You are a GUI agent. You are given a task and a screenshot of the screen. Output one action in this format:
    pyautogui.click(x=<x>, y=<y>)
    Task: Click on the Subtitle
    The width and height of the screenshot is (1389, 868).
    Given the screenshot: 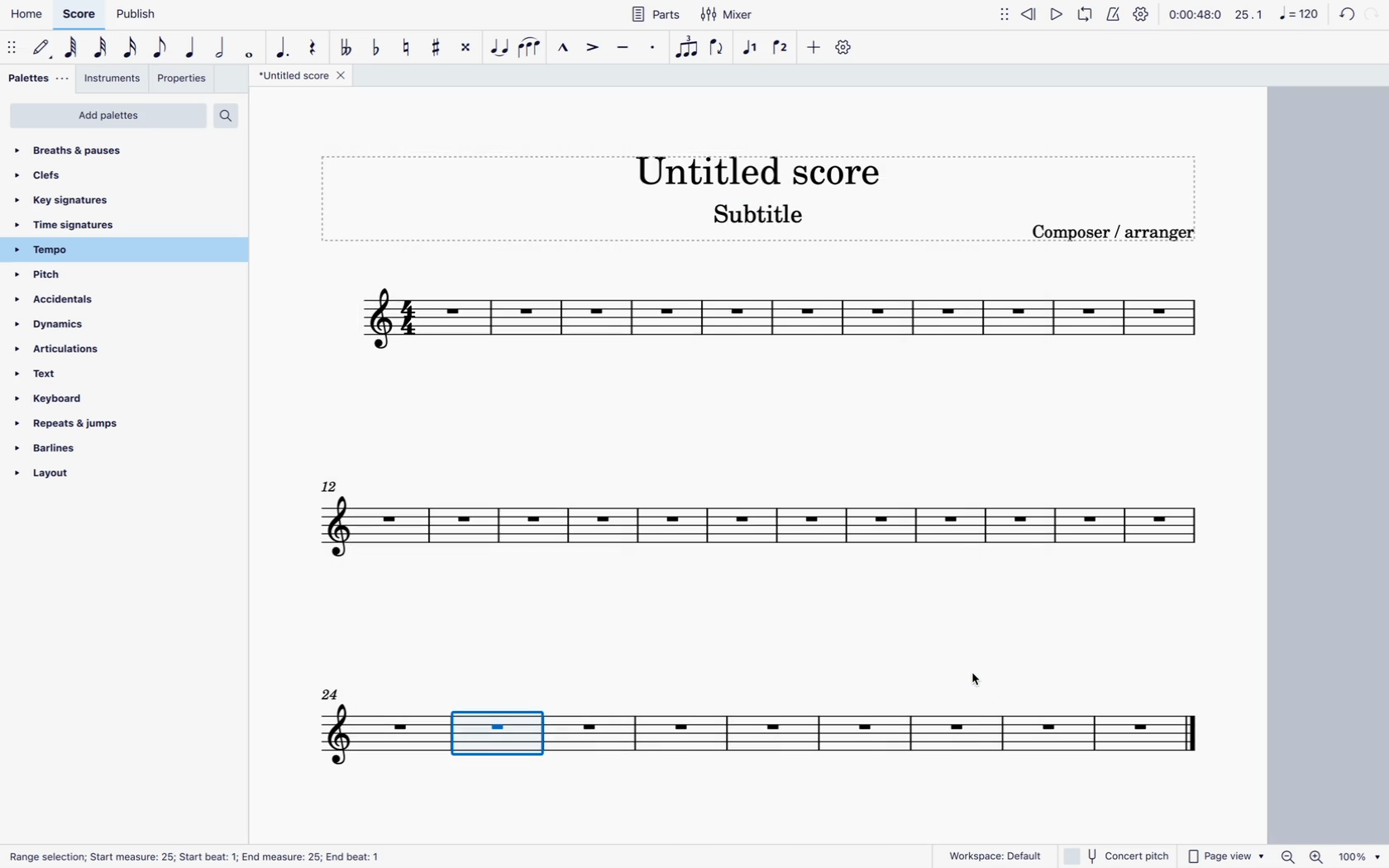 What is the action you would take?
    pyautogui.click(x=749, y=216)
    